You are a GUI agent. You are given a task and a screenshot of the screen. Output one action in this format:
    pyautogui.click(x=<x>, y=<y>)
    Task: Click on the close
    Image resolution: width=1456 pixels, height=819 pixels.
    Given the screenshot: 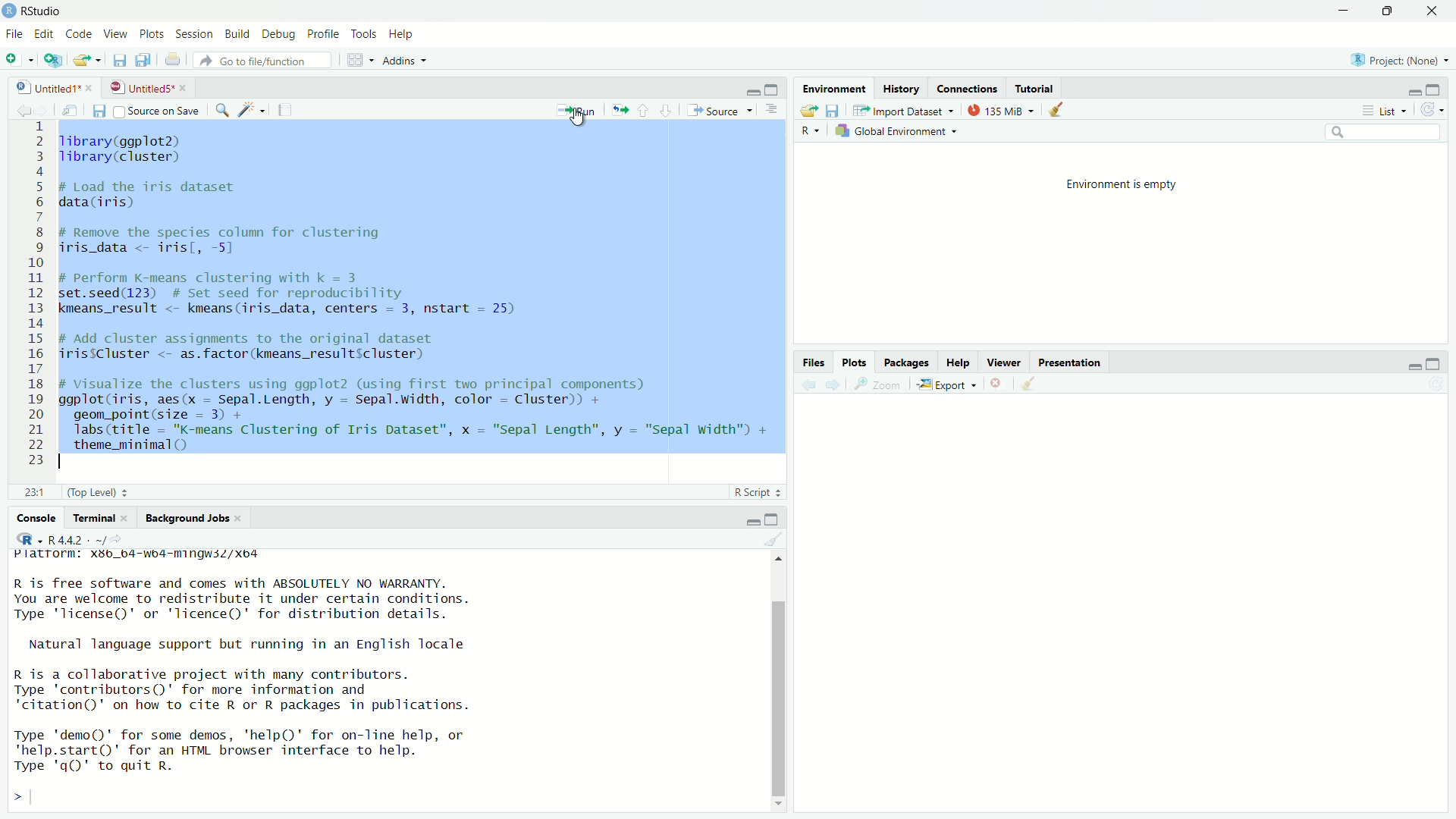 What is the action you would take?
    pyautogui.click(x=93, y=86)
    